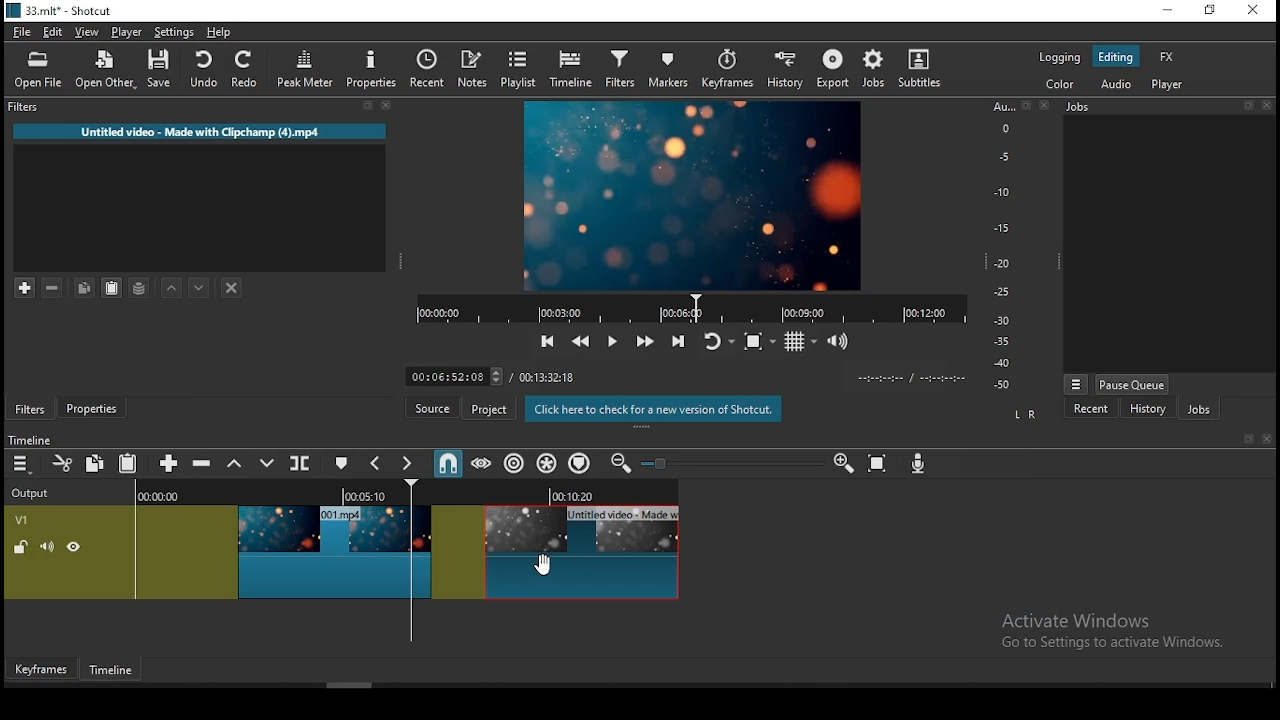  Describe the element at coordinates (844, 464) in the screenshot. I see `` at that location.